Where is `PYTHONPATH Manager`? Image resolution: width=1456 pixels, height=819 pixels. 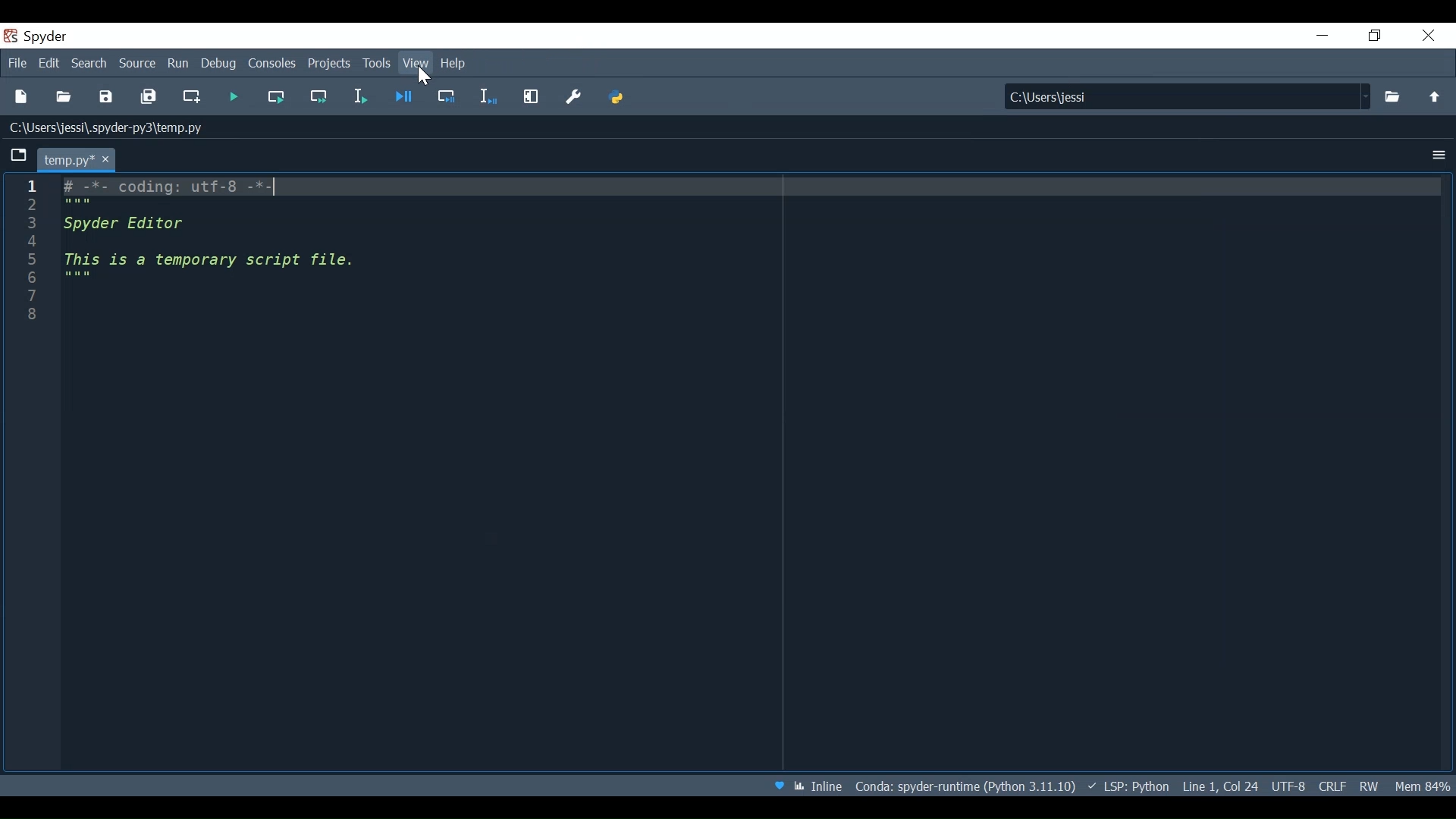 PYTHONPATH Manager is located at coordinates (620, 98).